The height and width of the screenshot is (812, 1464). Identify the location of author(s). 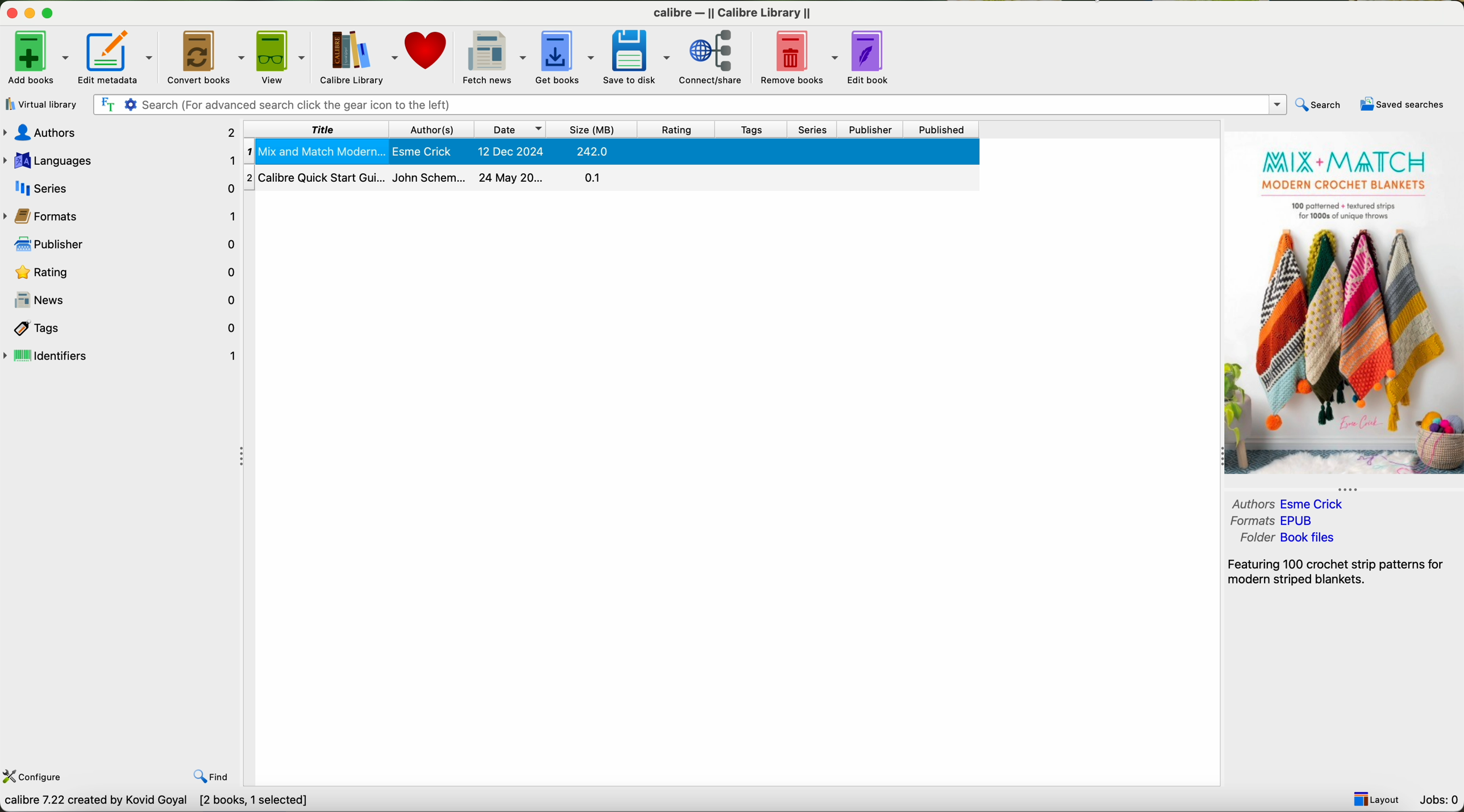
(434, 129).